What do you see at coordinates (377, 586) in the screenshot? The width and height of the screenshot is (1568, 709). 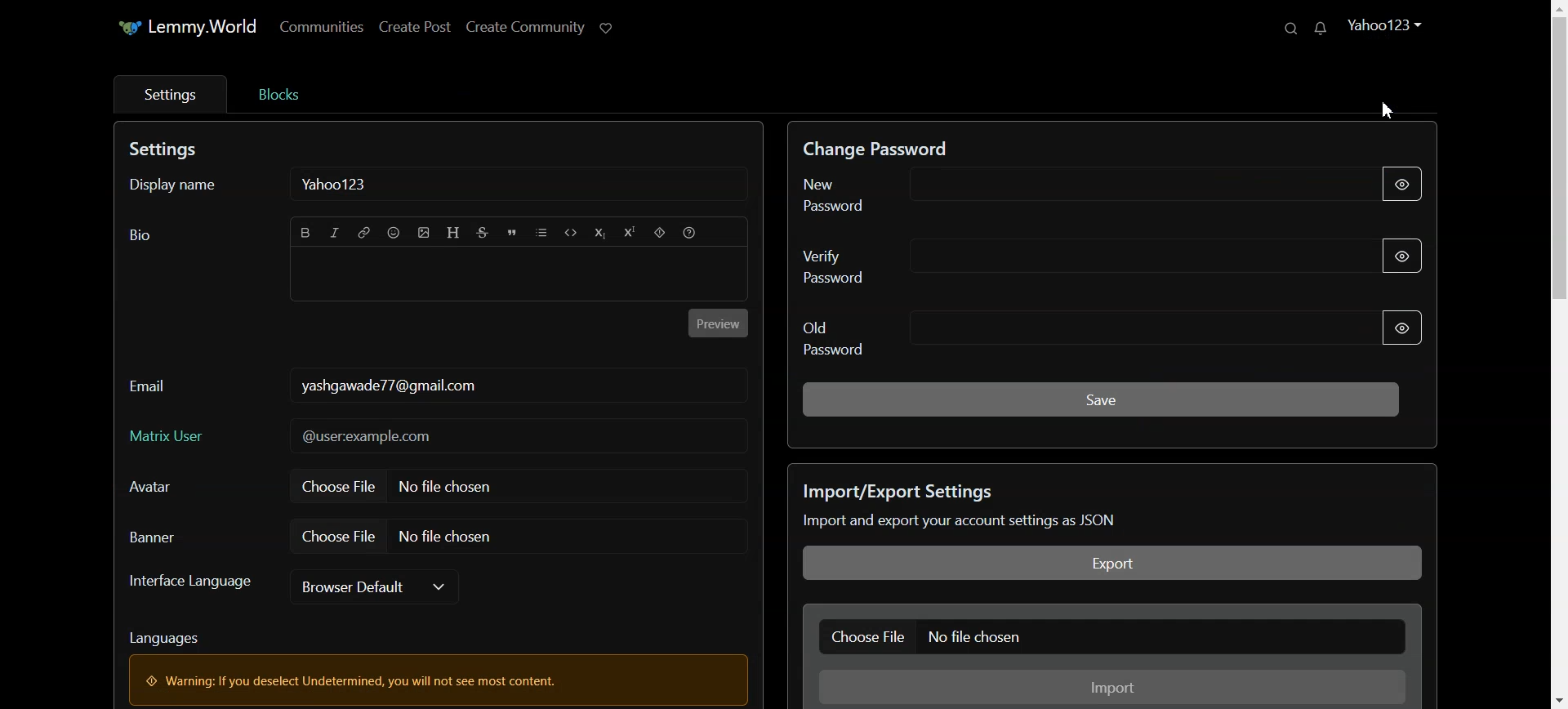 I see `Browser Default` at bounding box center [377, 586].